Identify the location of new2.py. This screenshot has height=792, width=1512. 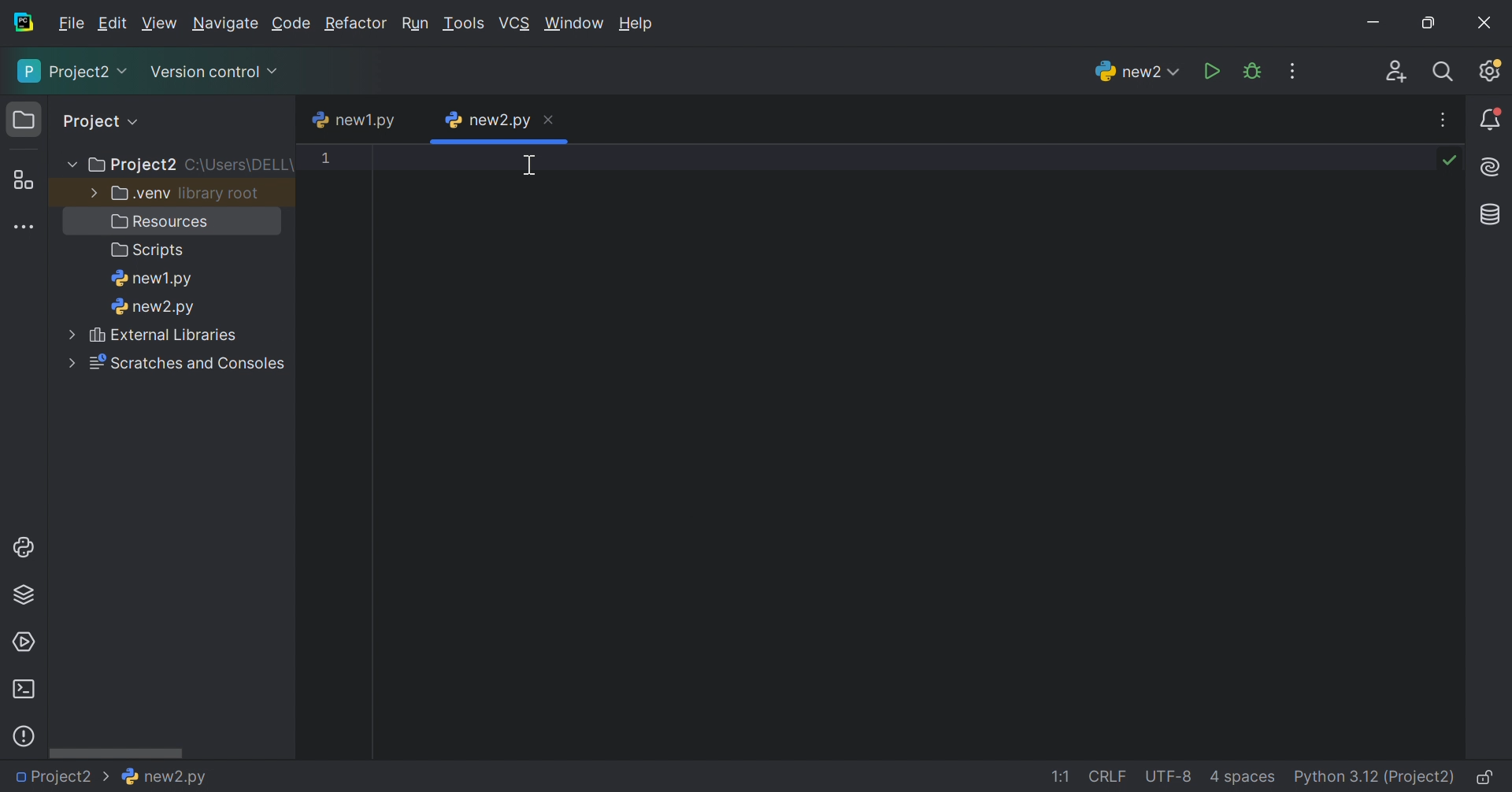
(486, 121).